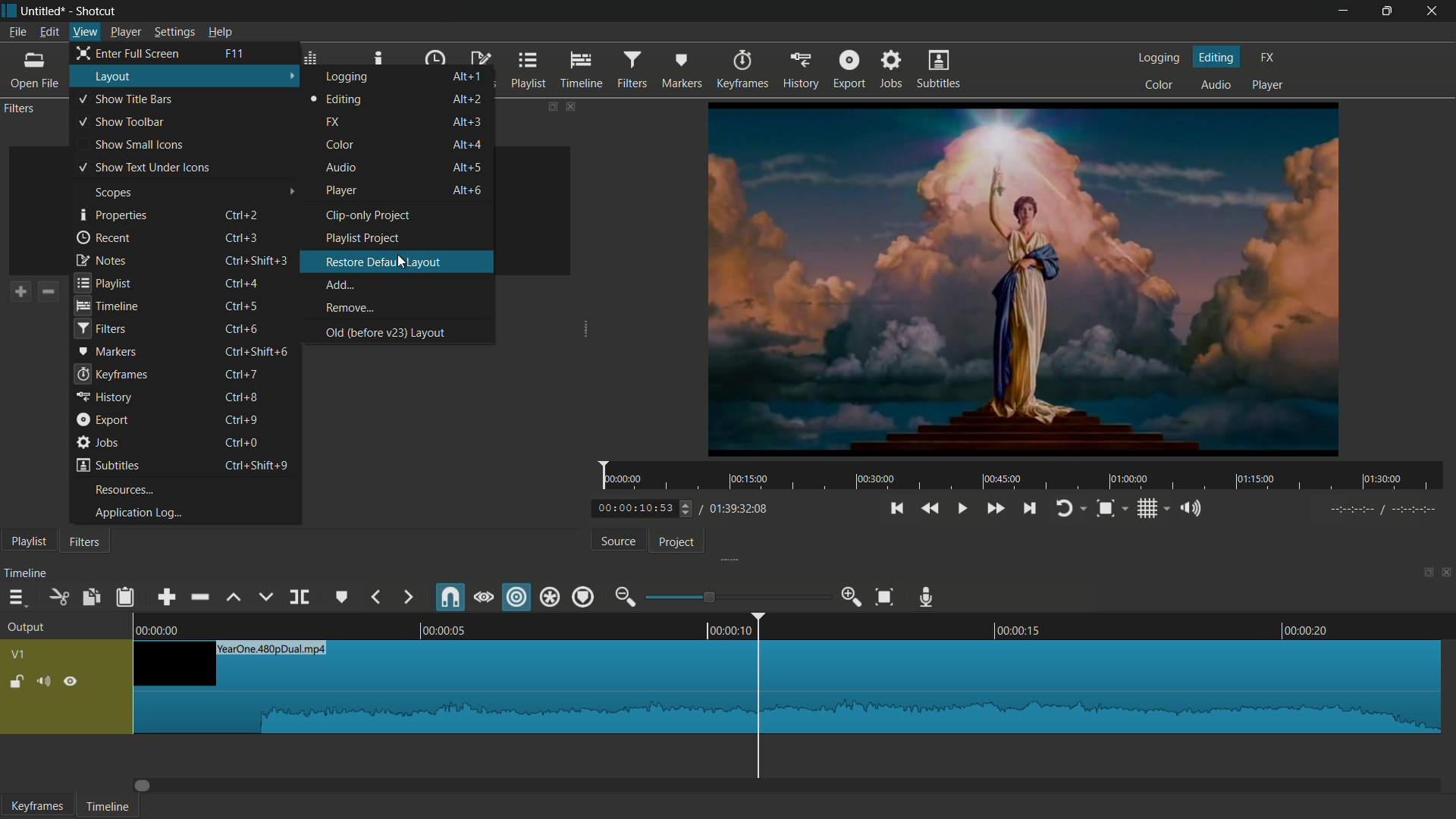 This screenshot has height=819, width=1456. I want to click on color, so click(340, 145).